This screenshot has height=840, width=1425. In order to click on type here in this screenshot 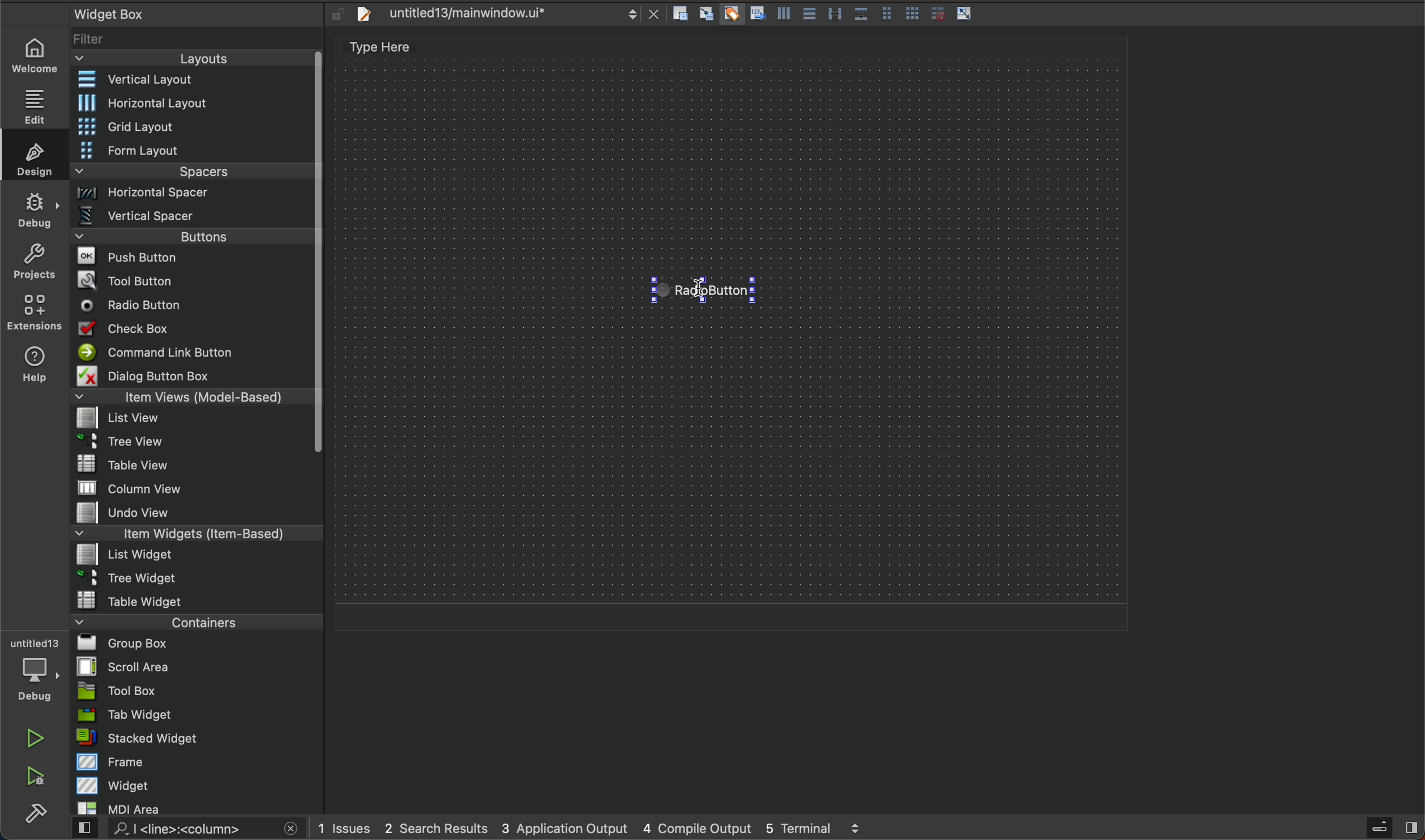, I will do `click(392, 49)`.